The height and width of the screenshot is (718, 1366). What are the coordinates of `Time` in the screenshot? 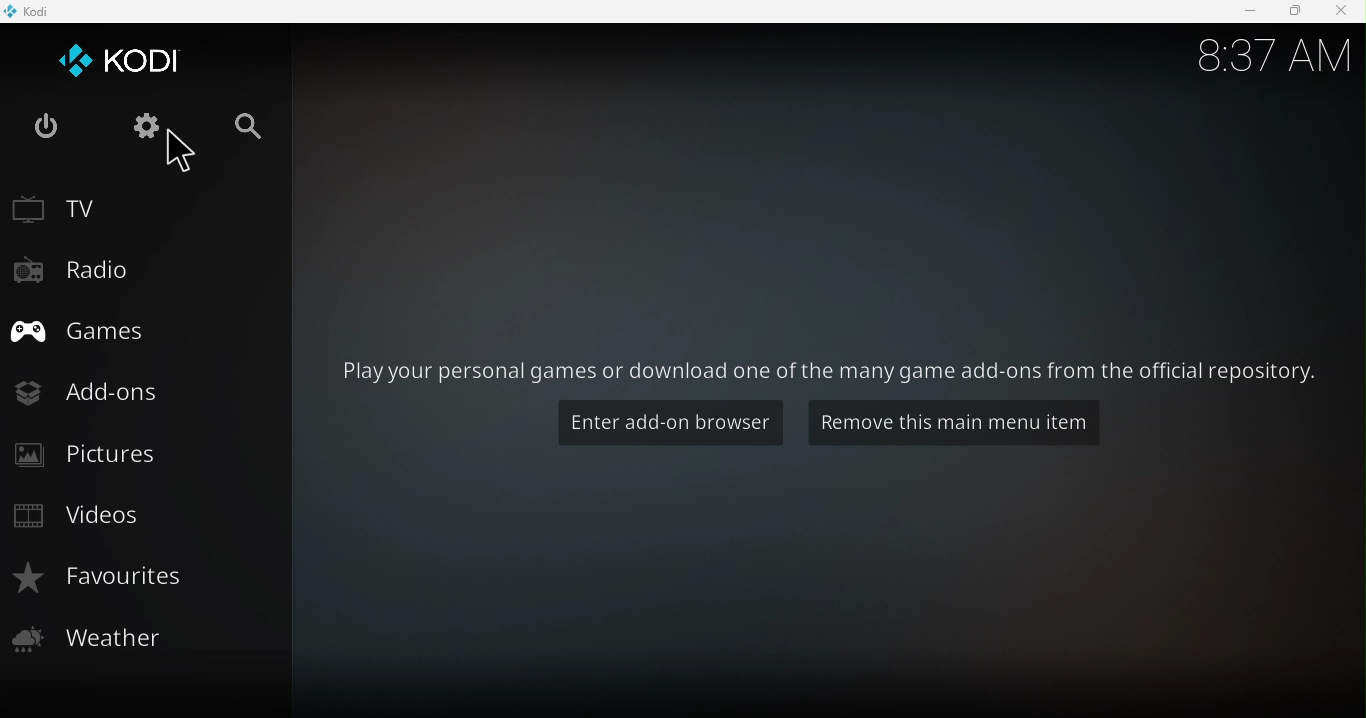 It's located at (1267, 59).